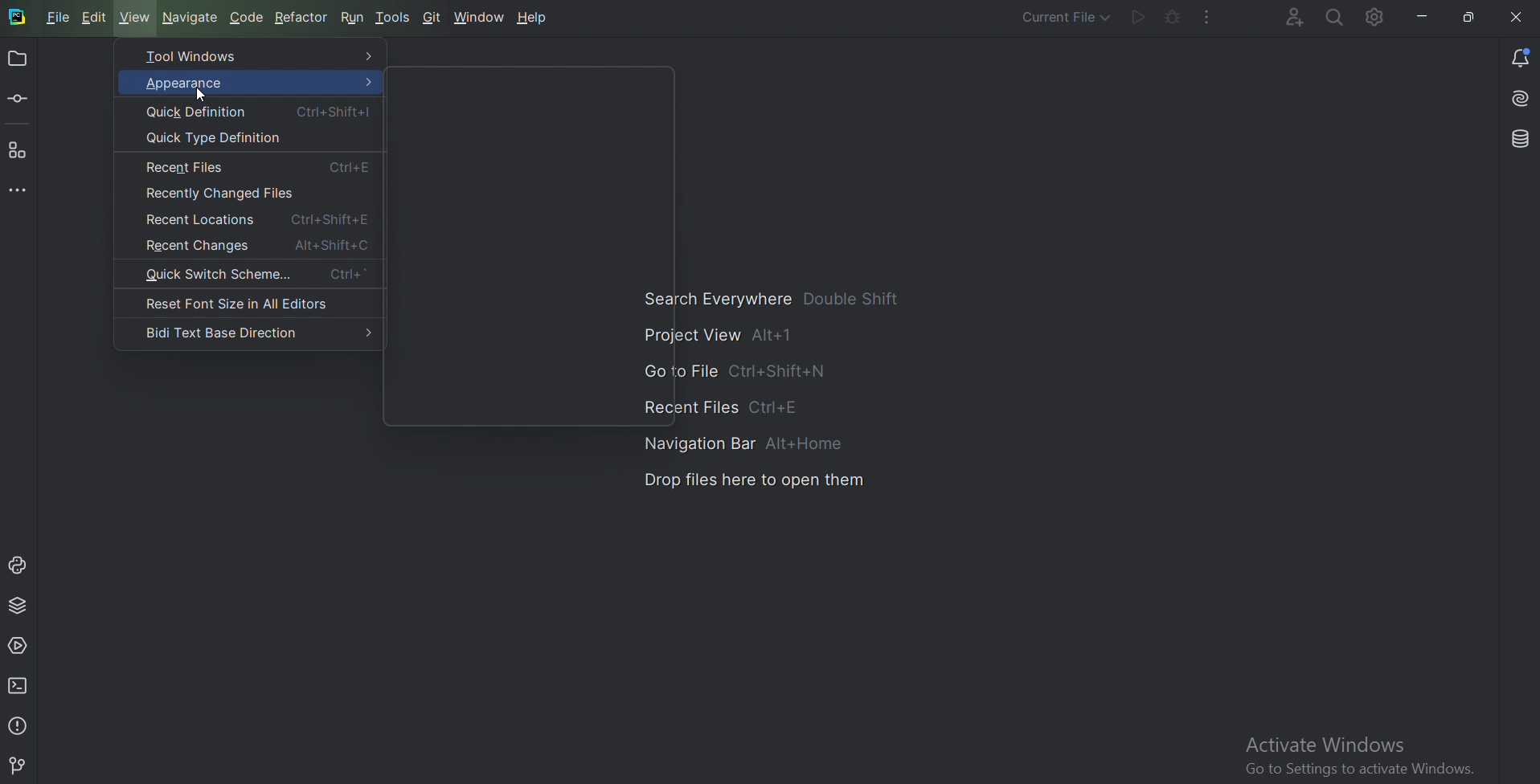  I want to click on Recent files, so click(714, 404).